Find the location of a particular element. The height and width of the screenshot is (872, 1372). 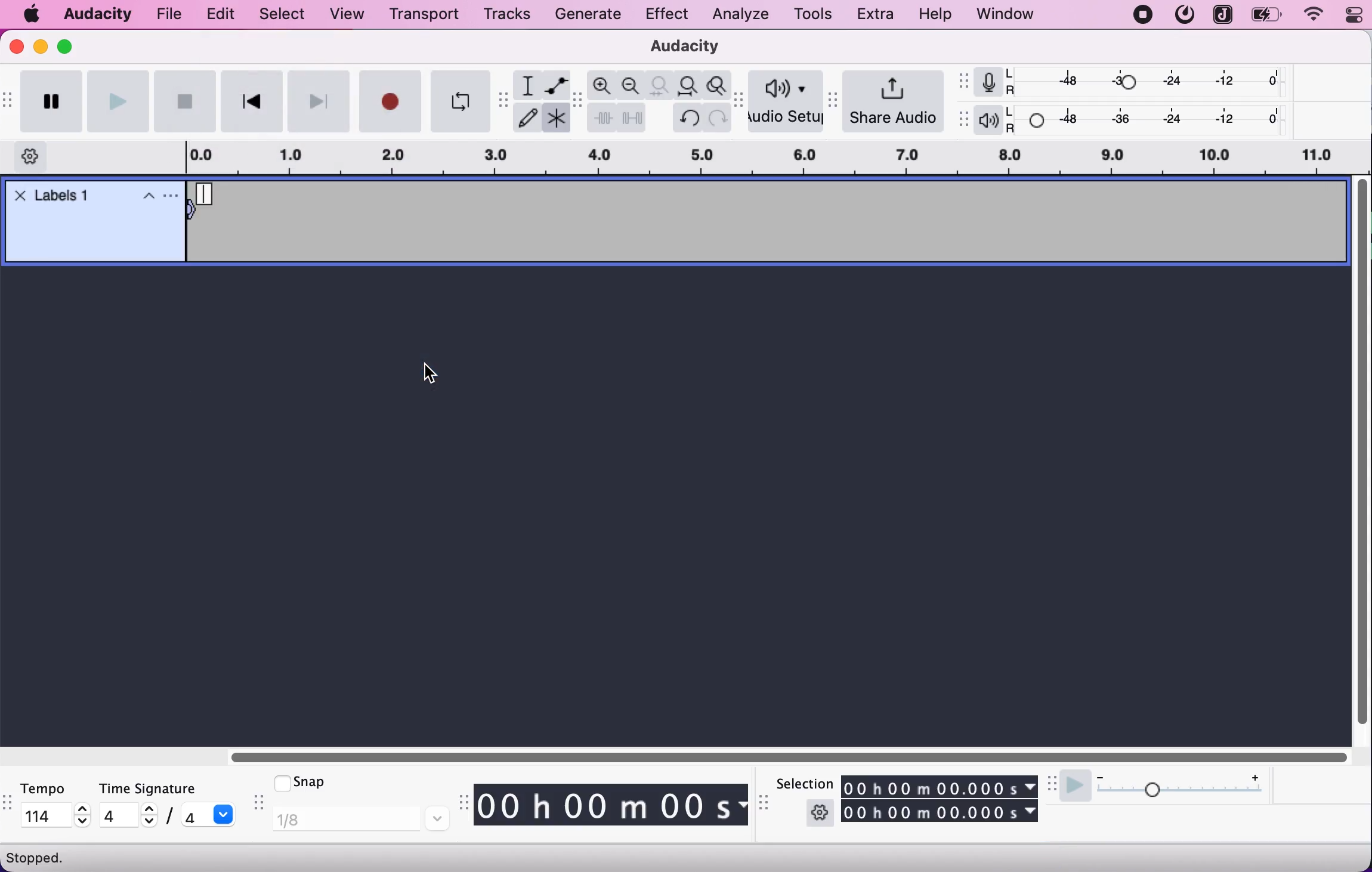

audacity snap toolbar is located at coordinates (257, 804).